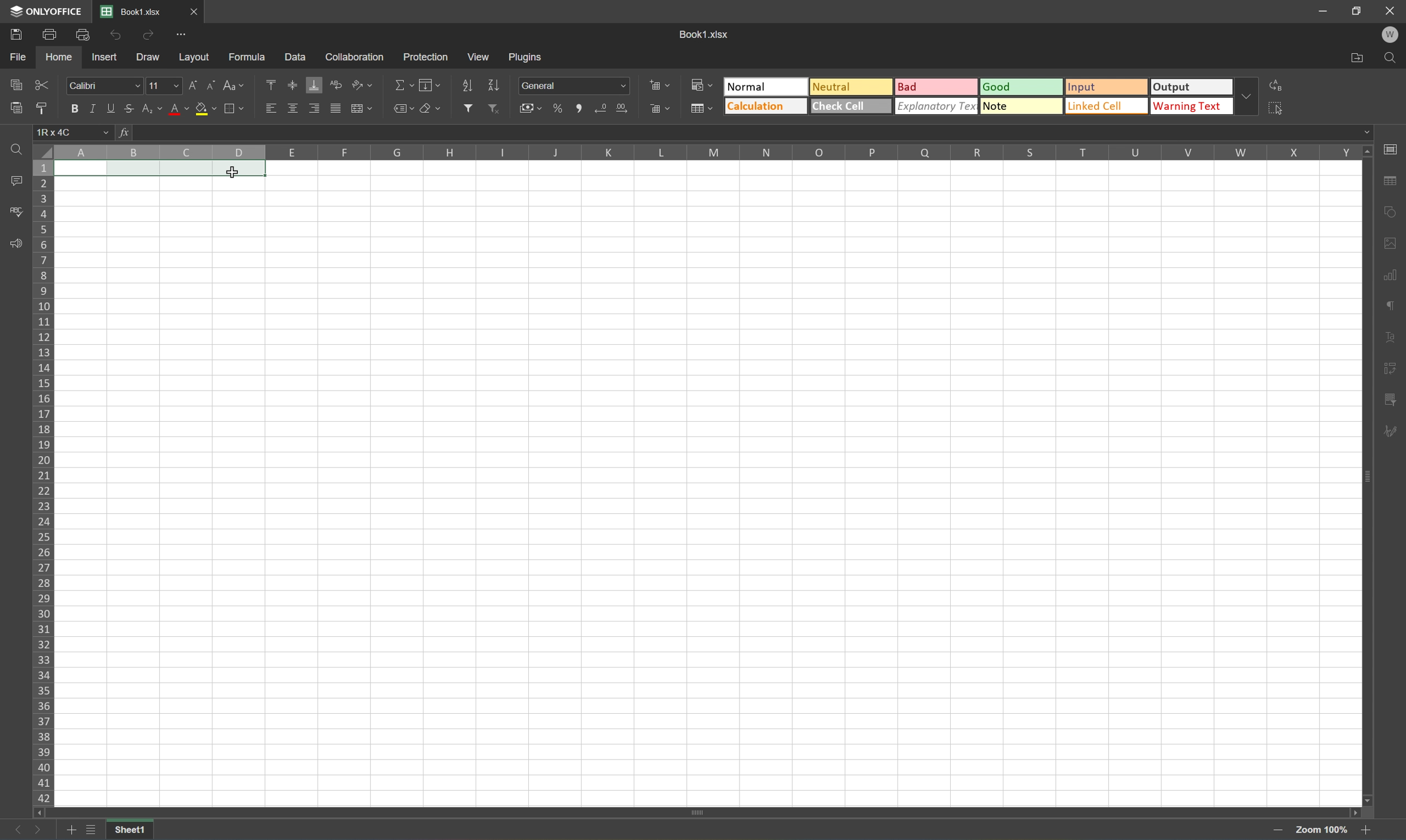  What do you see at coordinates (1369, 800) in the screenshot?
I see `Scroll down` at bounding box center [1369, 800].